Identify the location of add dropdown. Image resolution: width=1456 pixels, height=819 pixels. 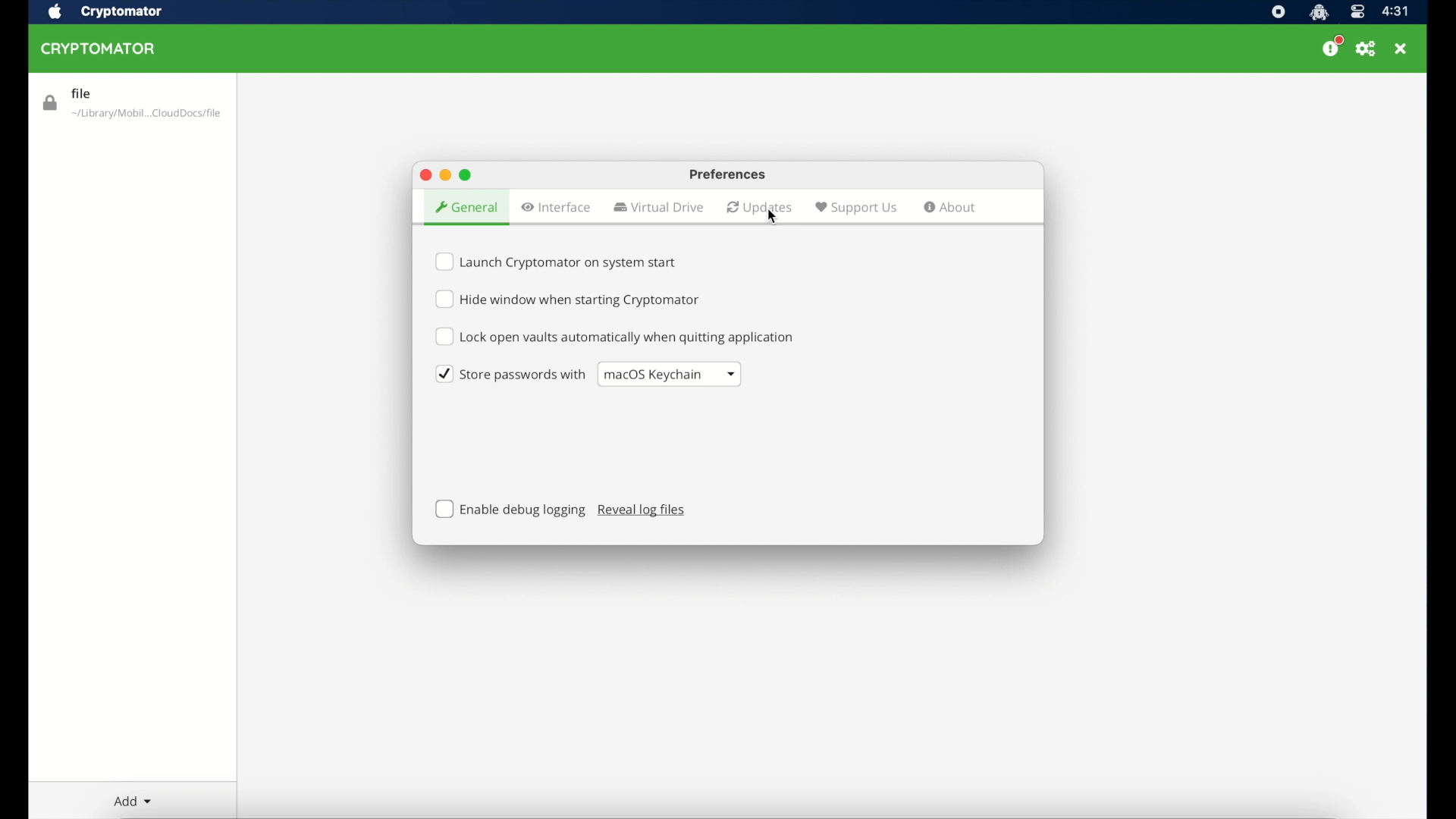
(133, 802).